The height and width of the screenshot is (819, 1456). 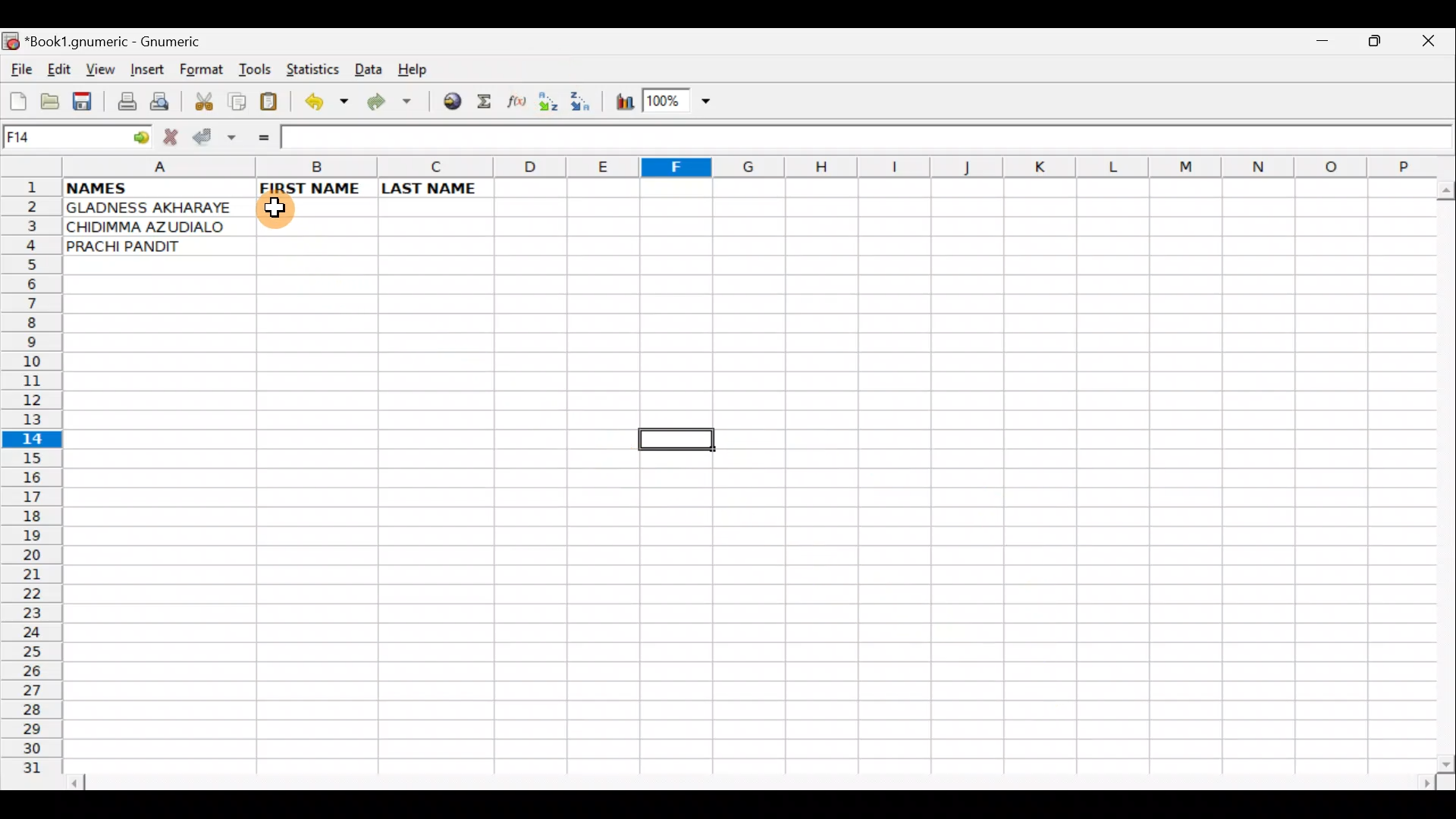 I want to click on Format, so click(x=205, y=71).